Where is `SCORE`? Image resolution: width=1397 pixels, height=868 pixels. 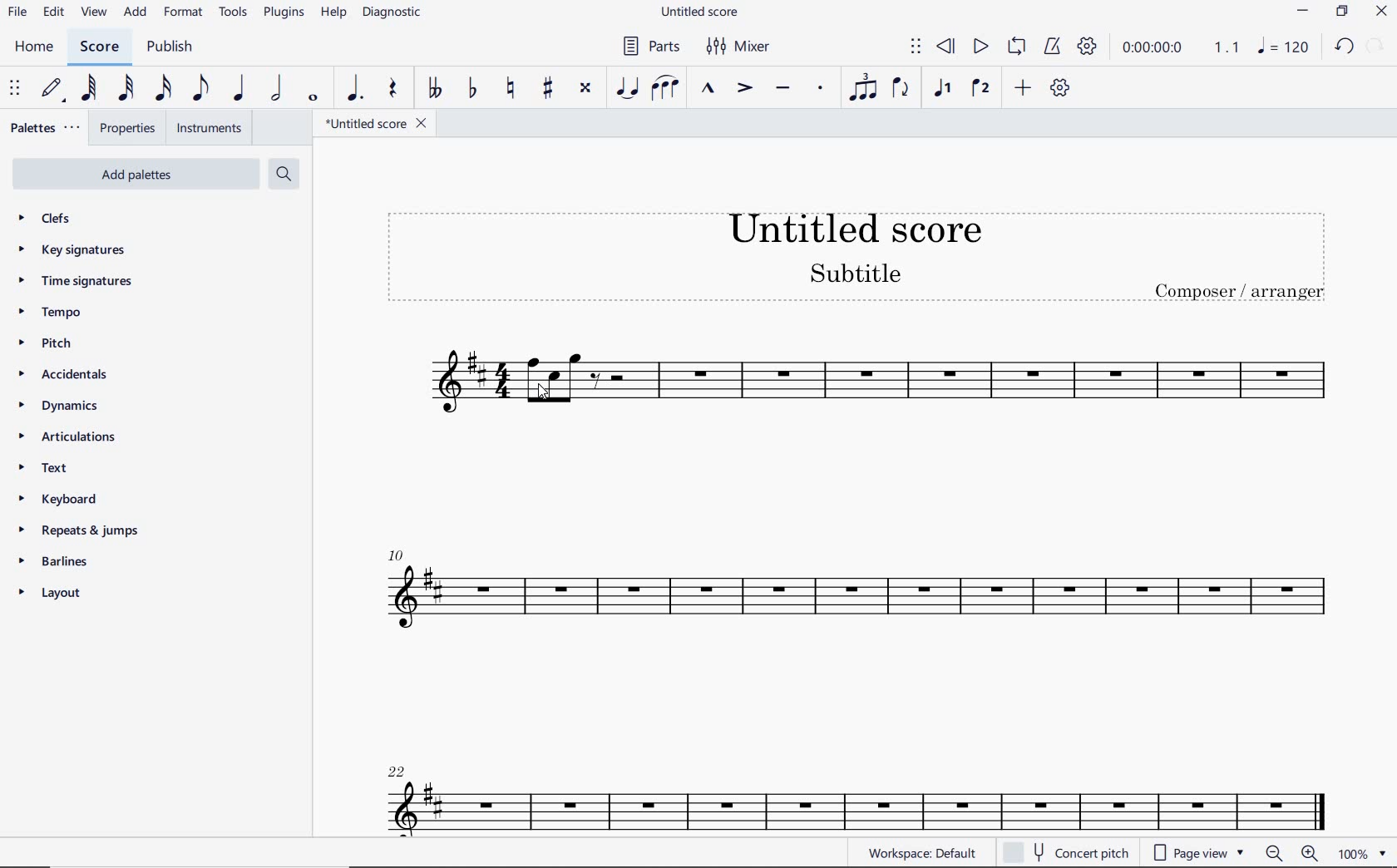
SCORE is located at coordinates (99, 47).